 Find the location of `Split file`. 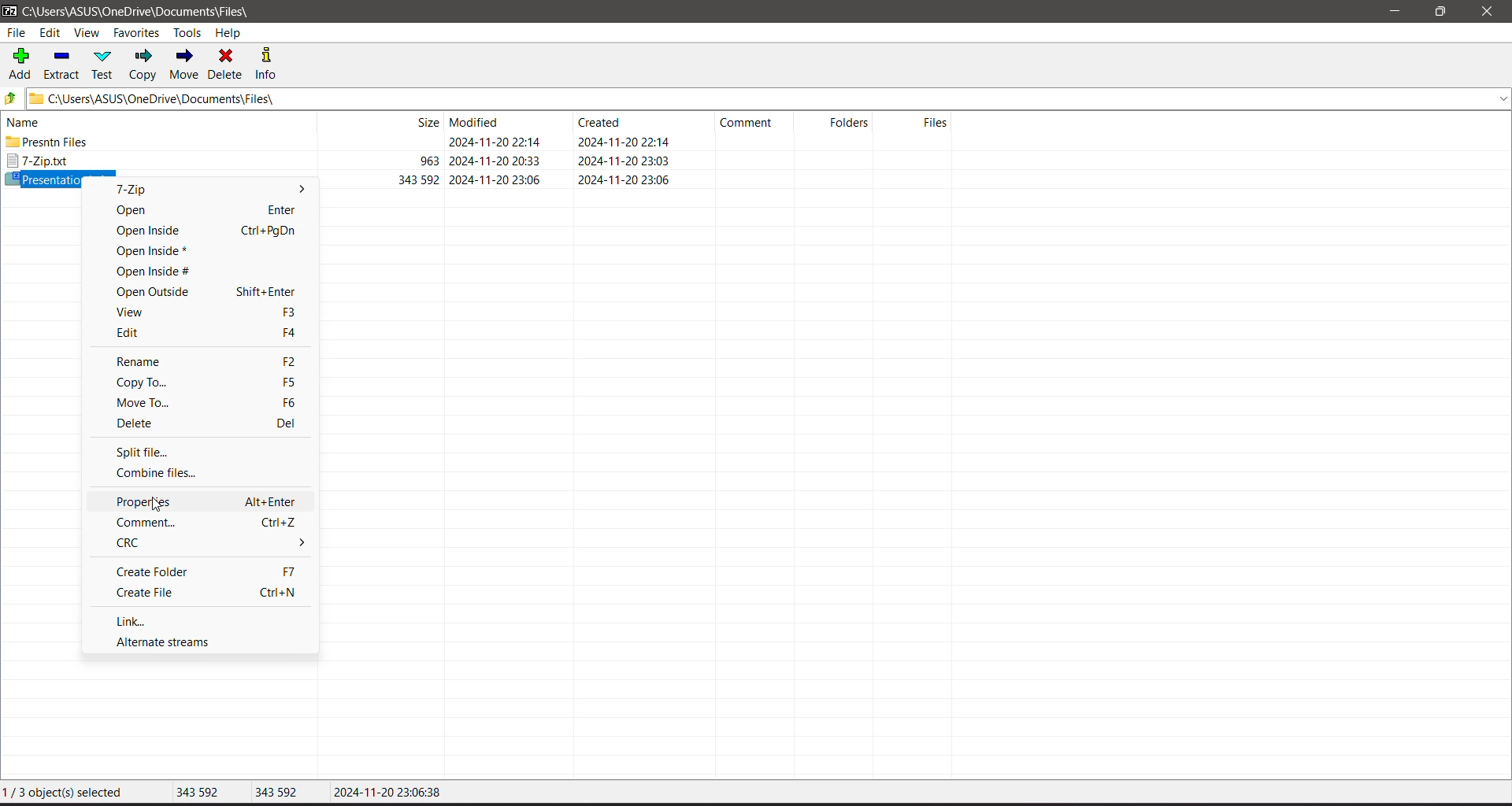

Split file is located at coordinates (129, 450).